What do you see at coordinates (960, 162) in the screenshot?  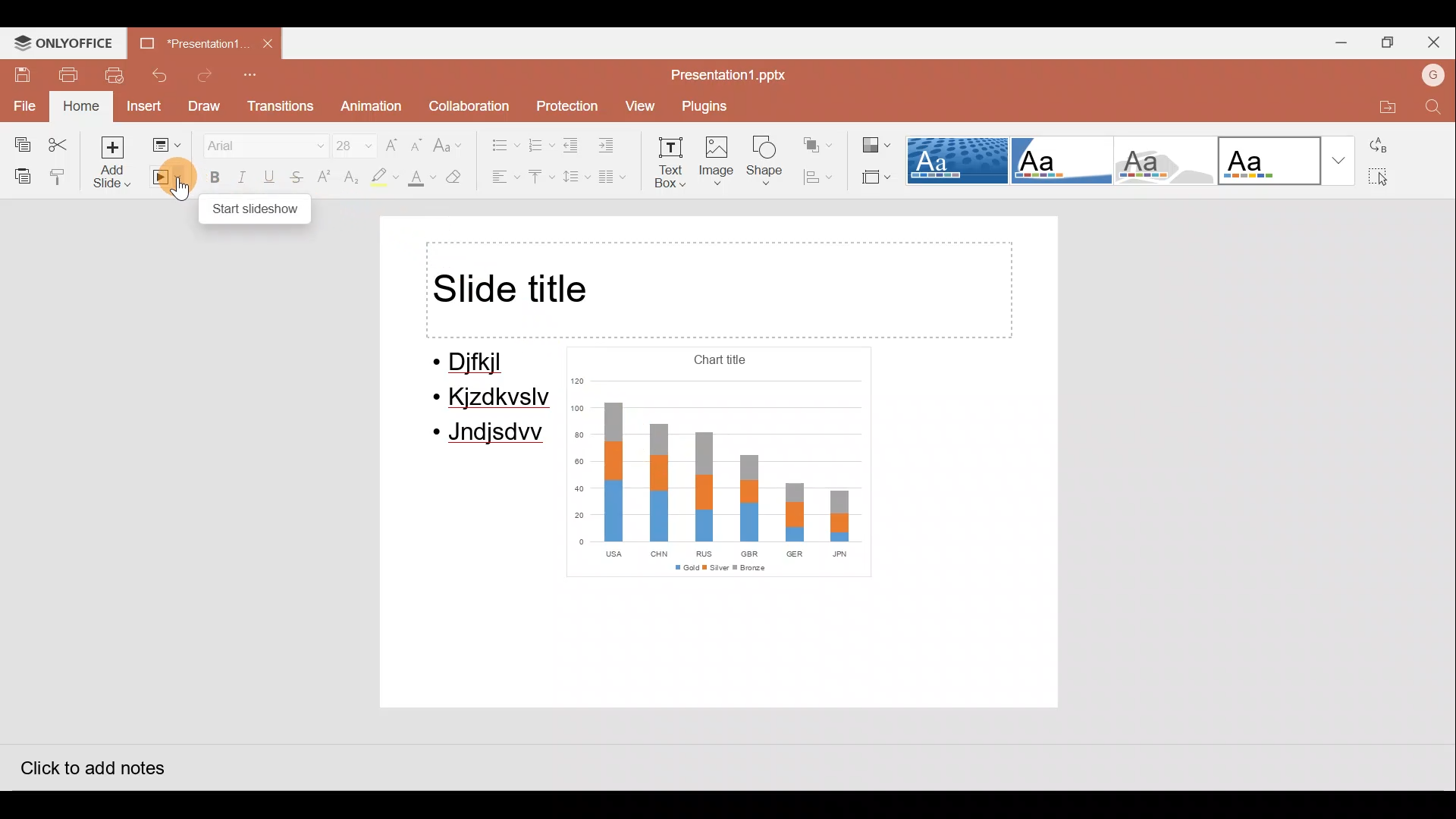 I see `Dotted` at bounding box center [960, 162].